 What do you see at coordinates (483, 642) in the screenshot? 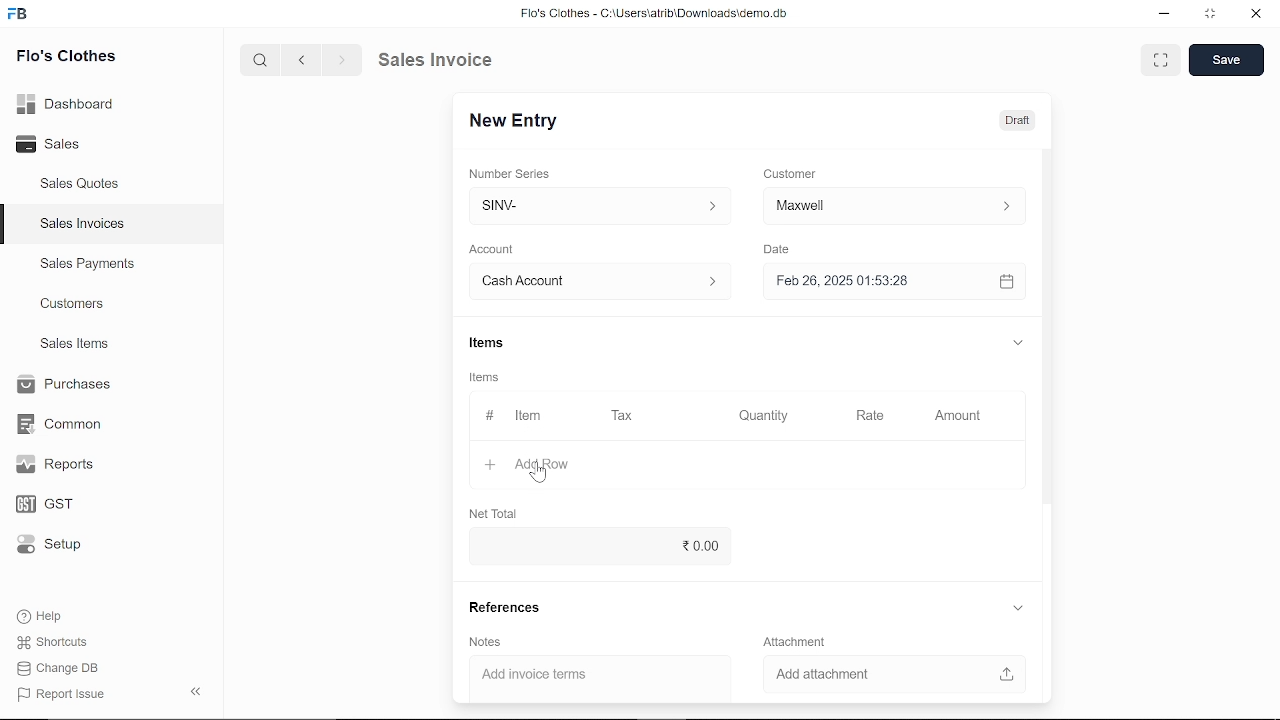
I see `Notes` at bounding box center [483, 642].